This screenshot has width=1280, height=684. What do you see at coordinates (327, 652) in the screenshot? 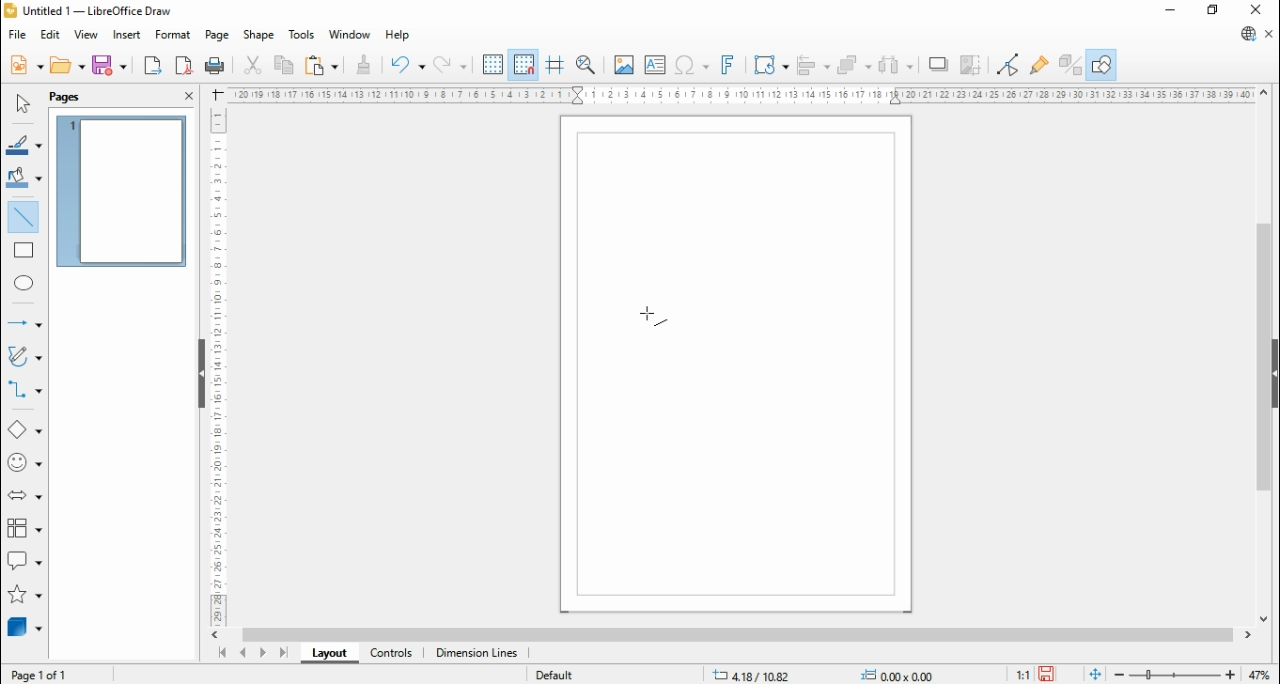
I see `layout` at bounding box center [327, 652].